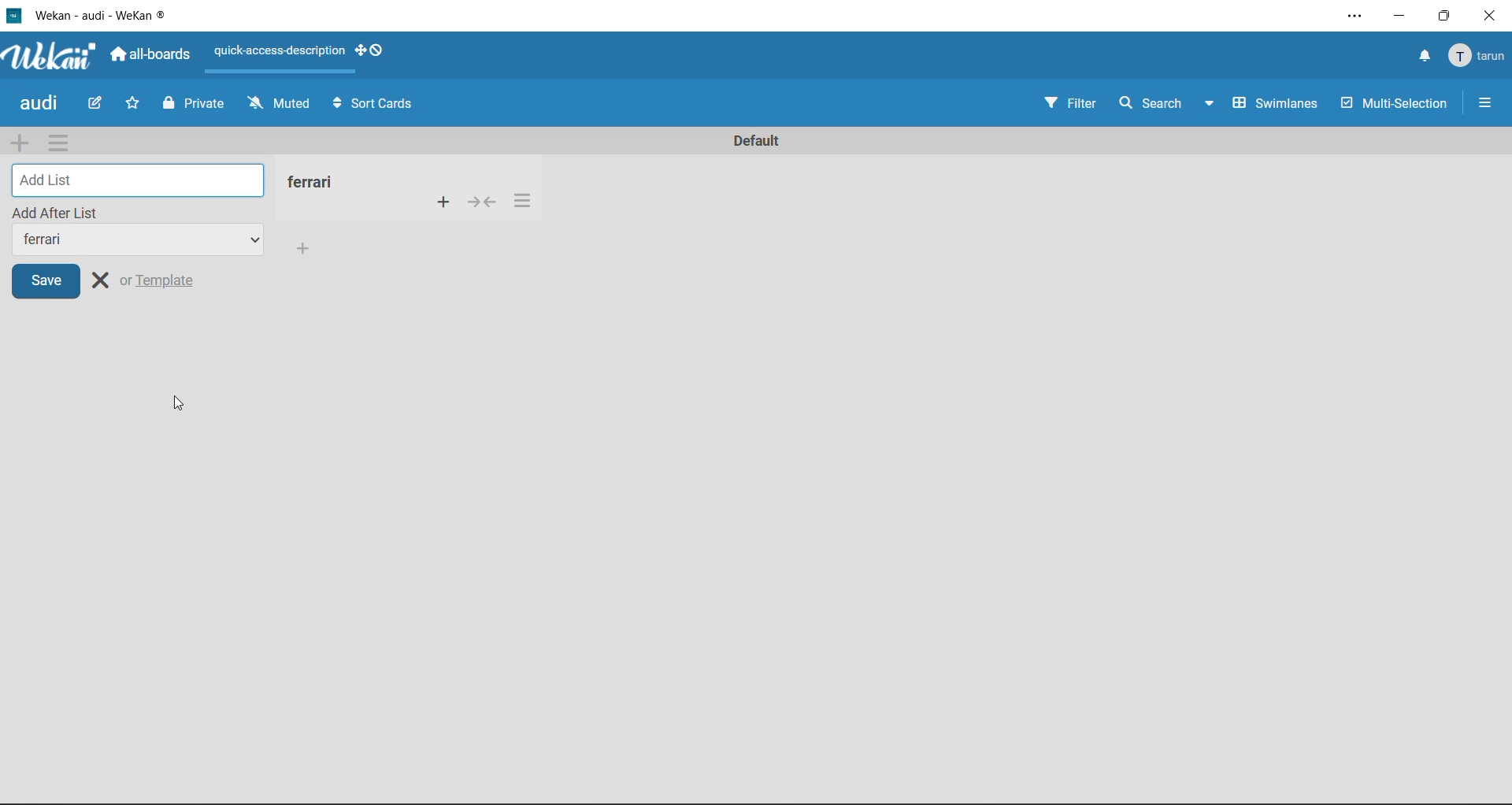  I want to click on More Options, so click(1484, 102).